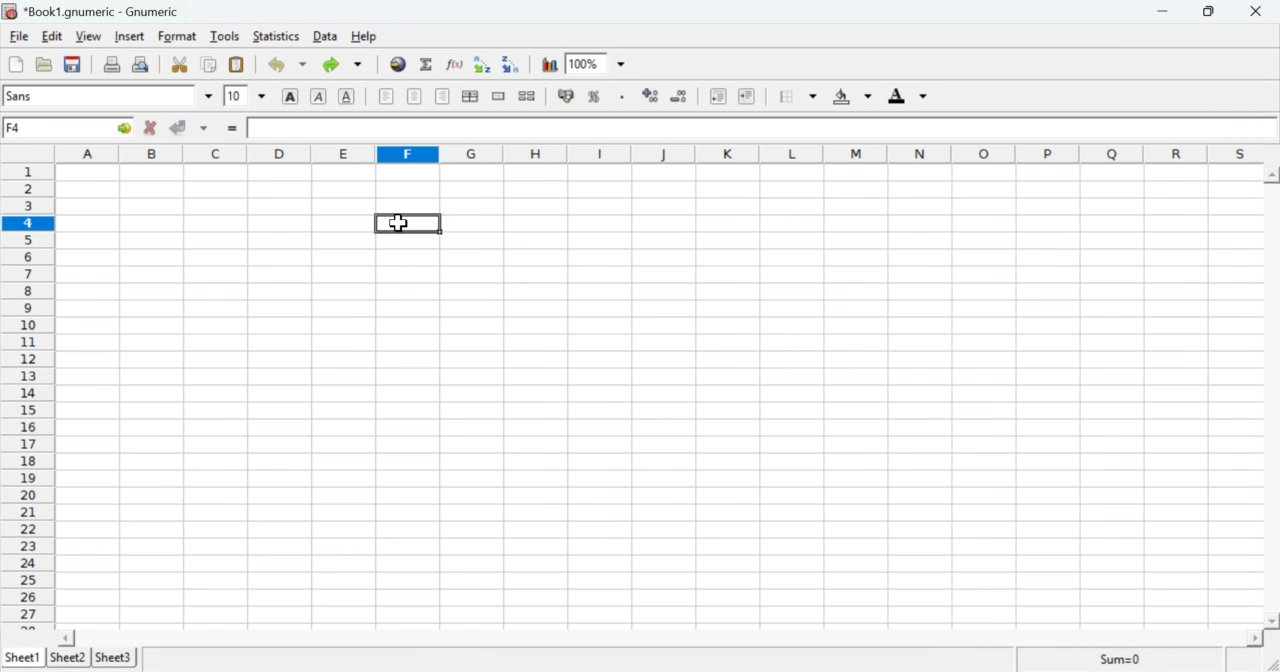  What do you see at coordinates (152, 127) in the screenshot?
I see `Cancel change` at bounding box center [152, 127].